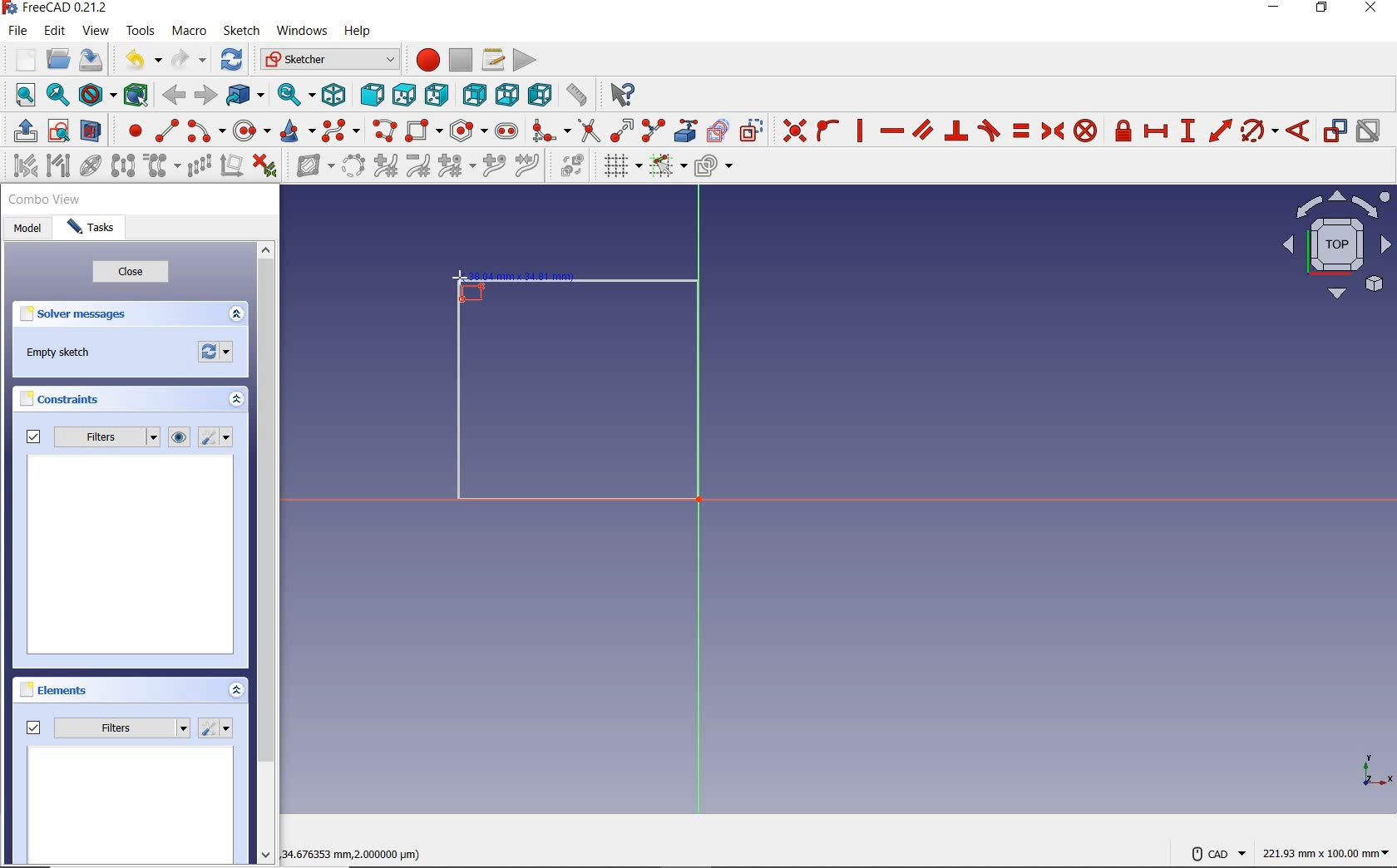  I want to click on switch virtual space, so click(569, 169).